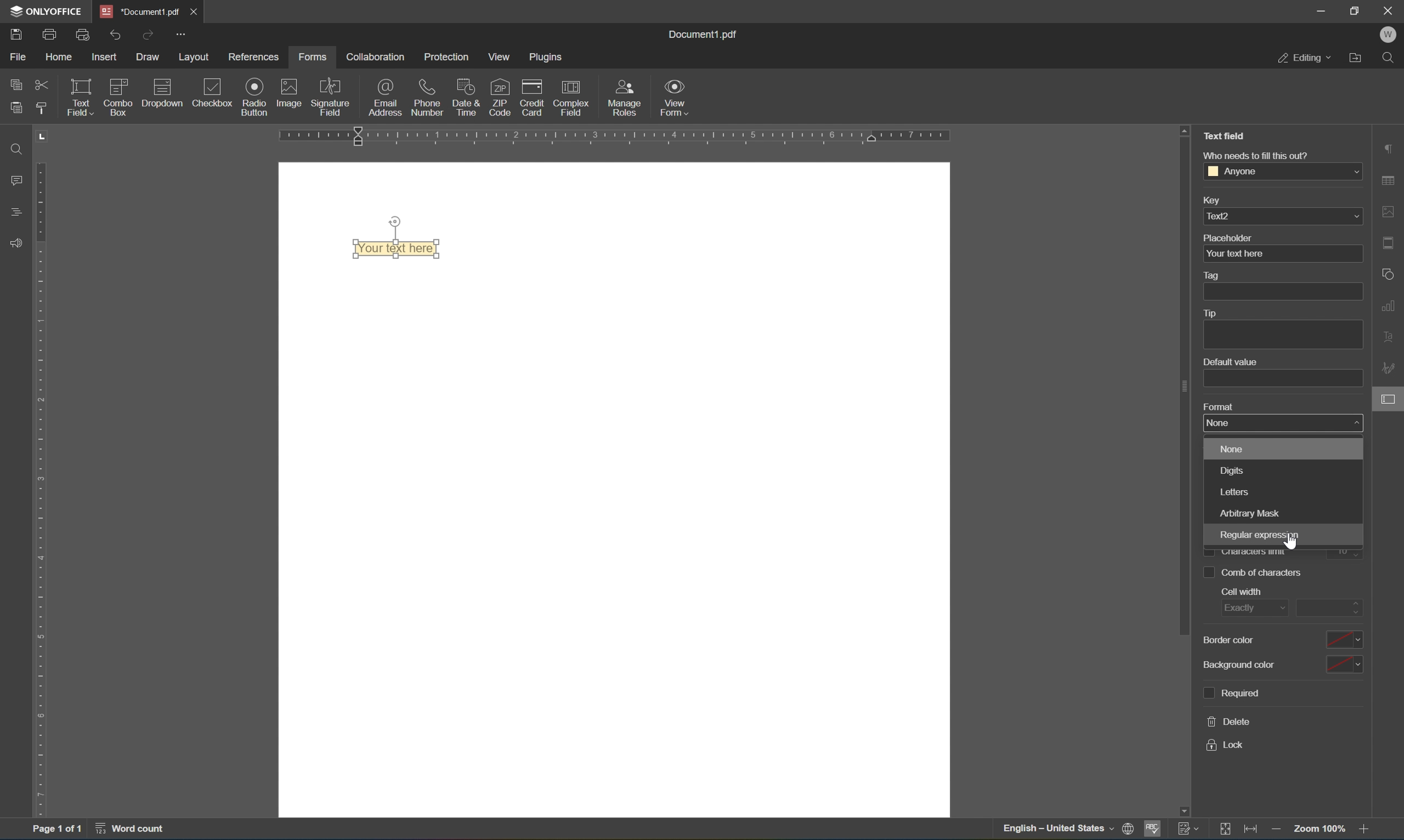 Image resolution: width=1404 pixels, height=840 pixels. Describe the element at coordinates (466, 96) in the screenshot. I see `date & time` at that location.